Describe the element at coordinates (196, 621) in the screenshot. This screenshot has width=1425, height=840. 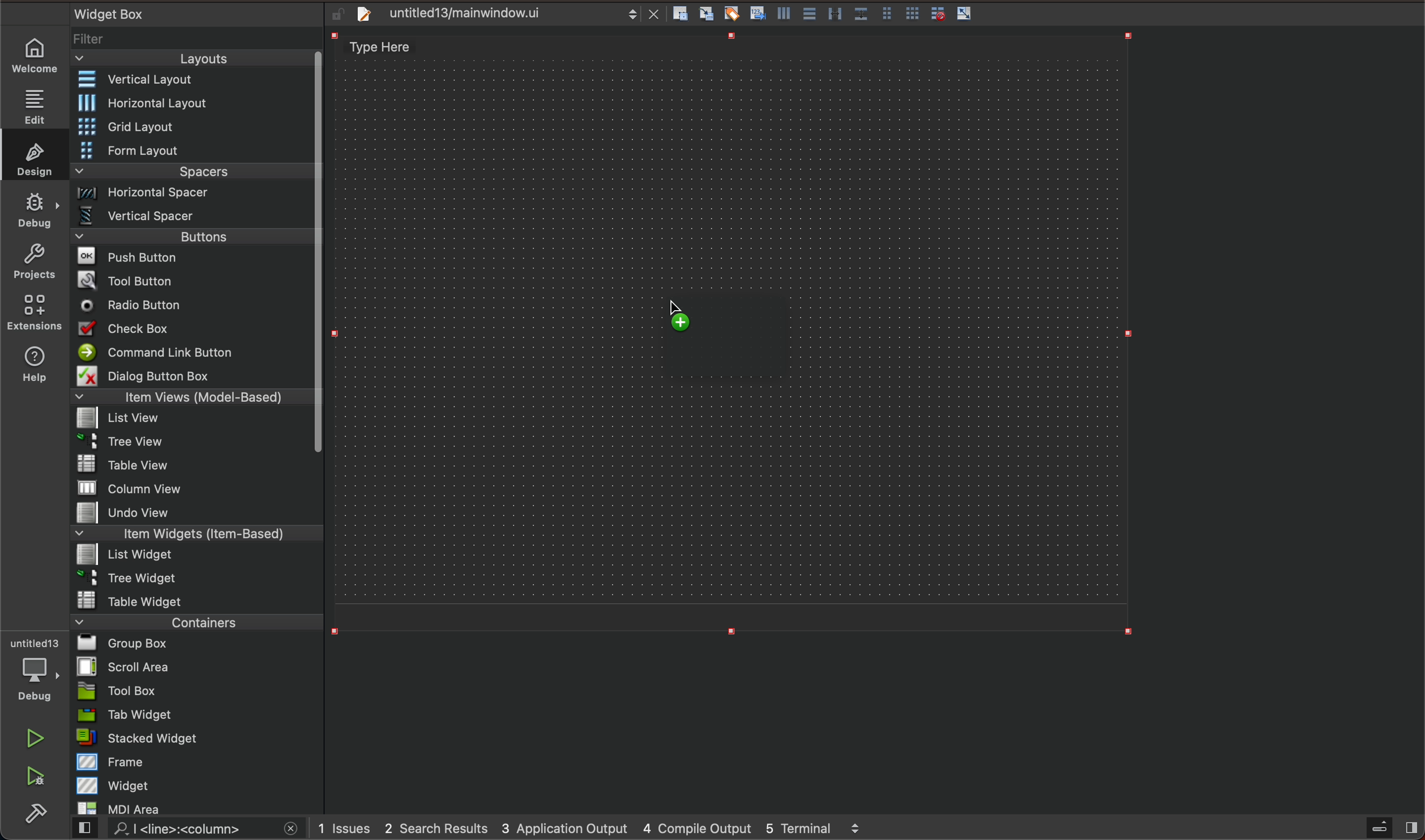
I see `containers` at that location.